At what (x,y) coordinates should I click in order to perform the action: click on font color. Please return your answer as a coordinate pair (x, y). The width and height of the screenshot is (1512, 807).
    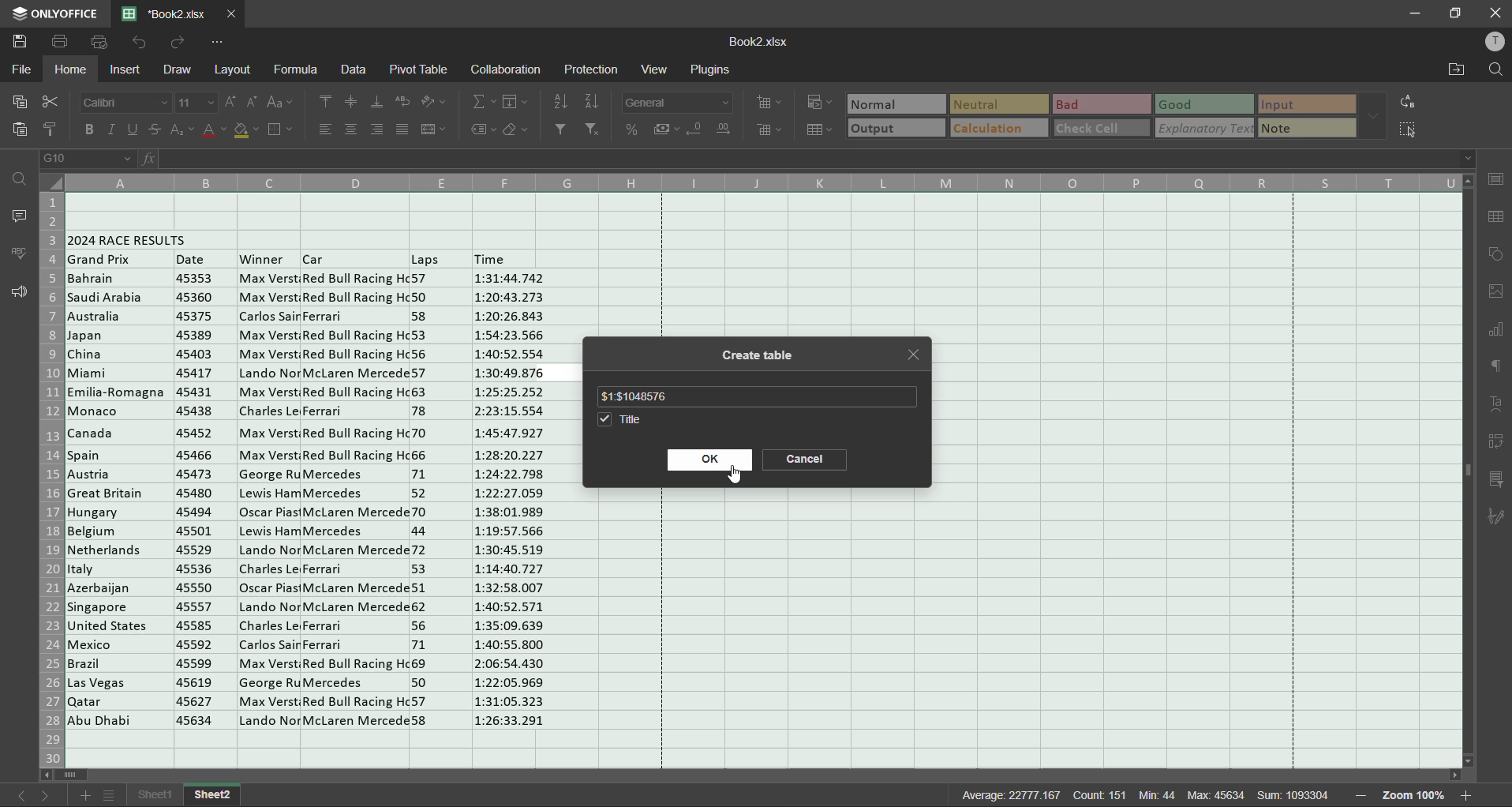
    Looking at the image, I should click on (214, 133).